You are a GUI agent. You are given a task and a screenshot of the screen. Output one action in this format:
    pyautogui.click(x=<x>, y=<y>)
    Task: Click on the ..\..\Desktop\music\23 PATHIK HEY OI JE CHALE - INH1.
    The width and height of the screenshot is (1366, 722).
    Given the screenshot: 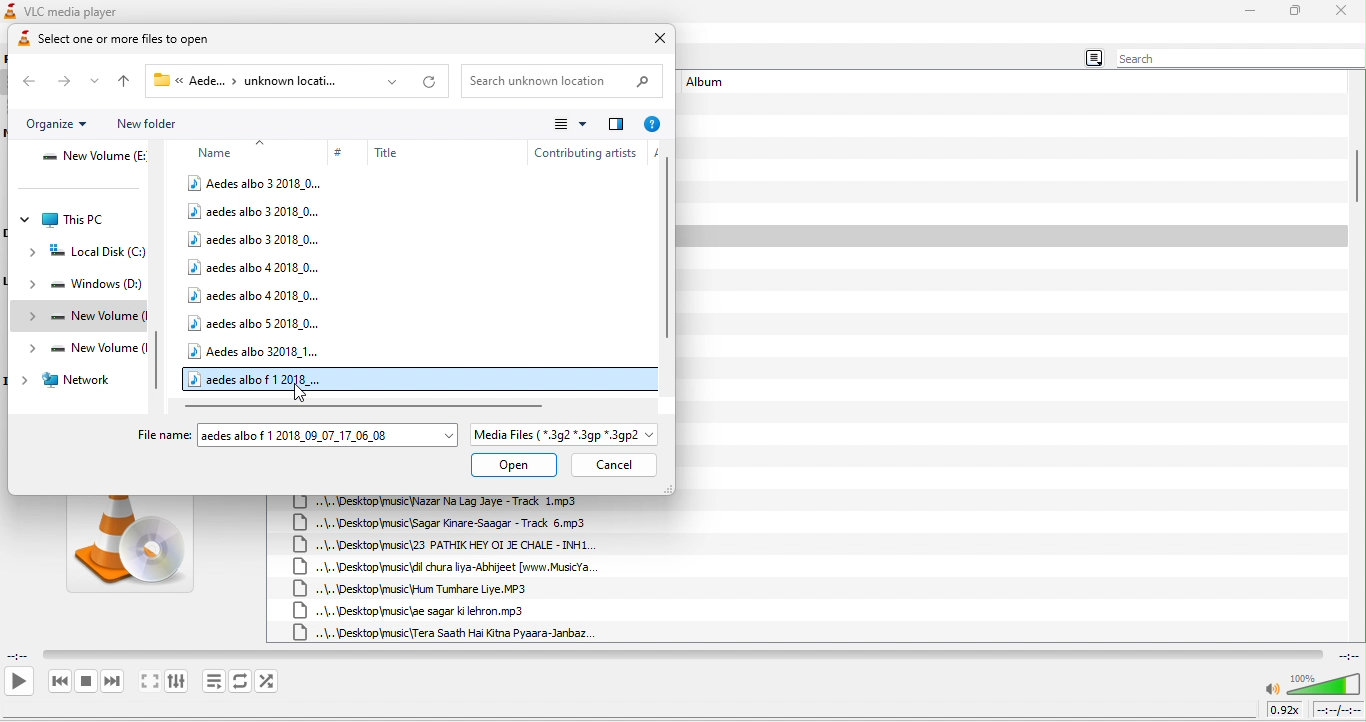 What is the action you would take?
    pyautogui.click(x=445, y=546)
    